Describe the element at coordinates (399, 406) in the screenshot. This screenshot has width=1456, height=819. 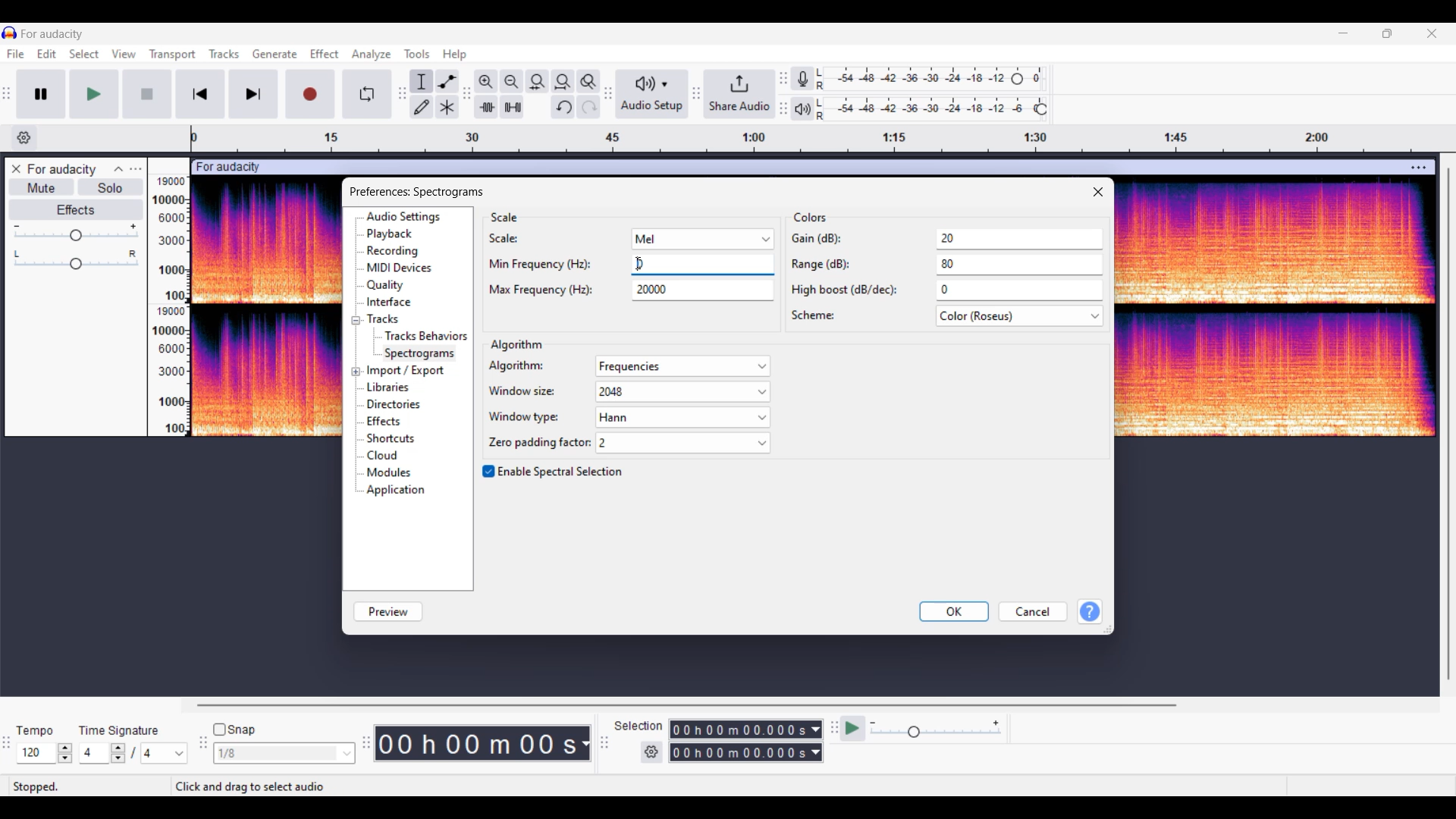
I see `directories` at that location.